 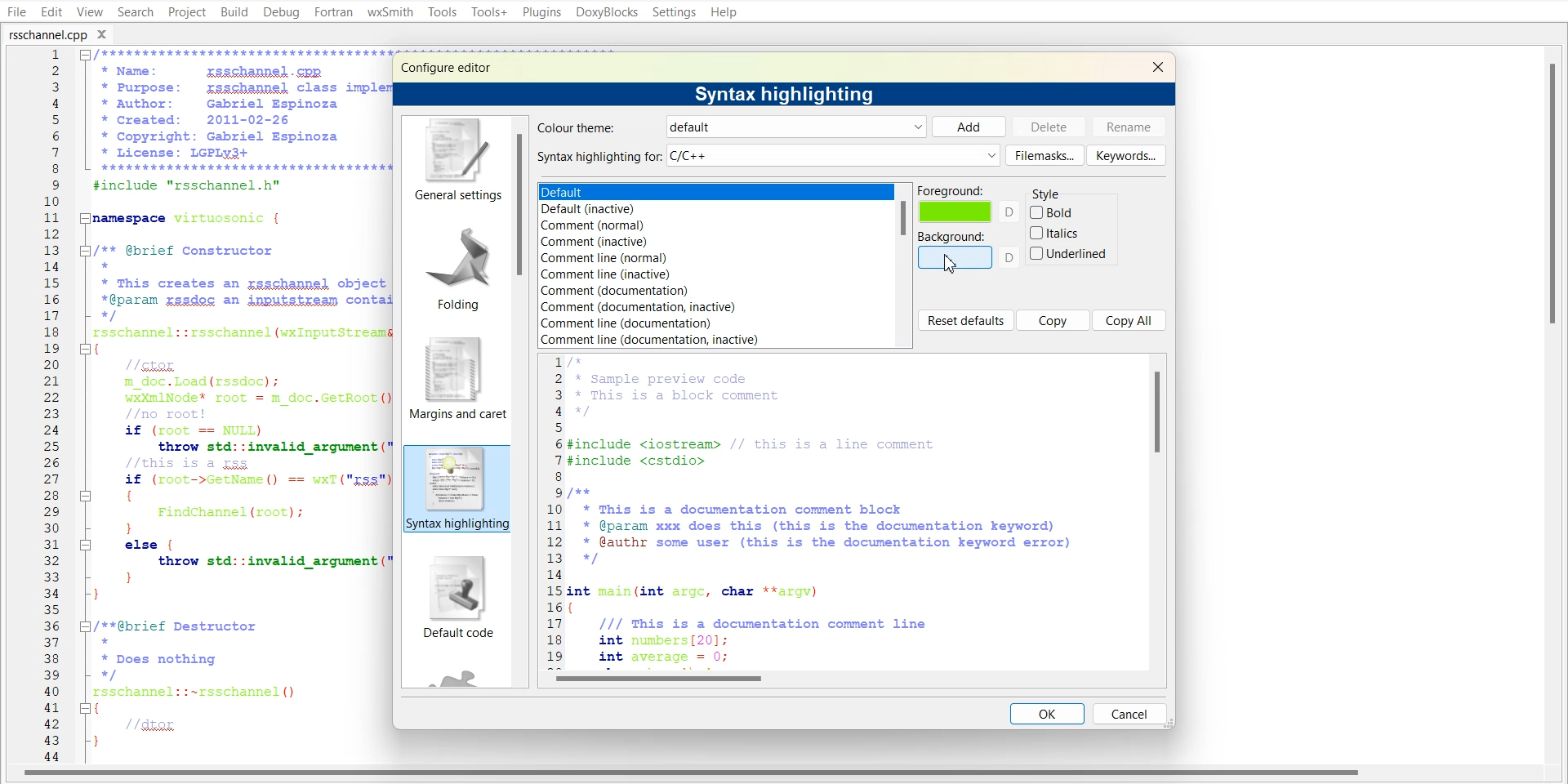 What do you see at coordinates (488, 11) in the screenshot?
I see `Tools+` at bounding box center [488, 11].